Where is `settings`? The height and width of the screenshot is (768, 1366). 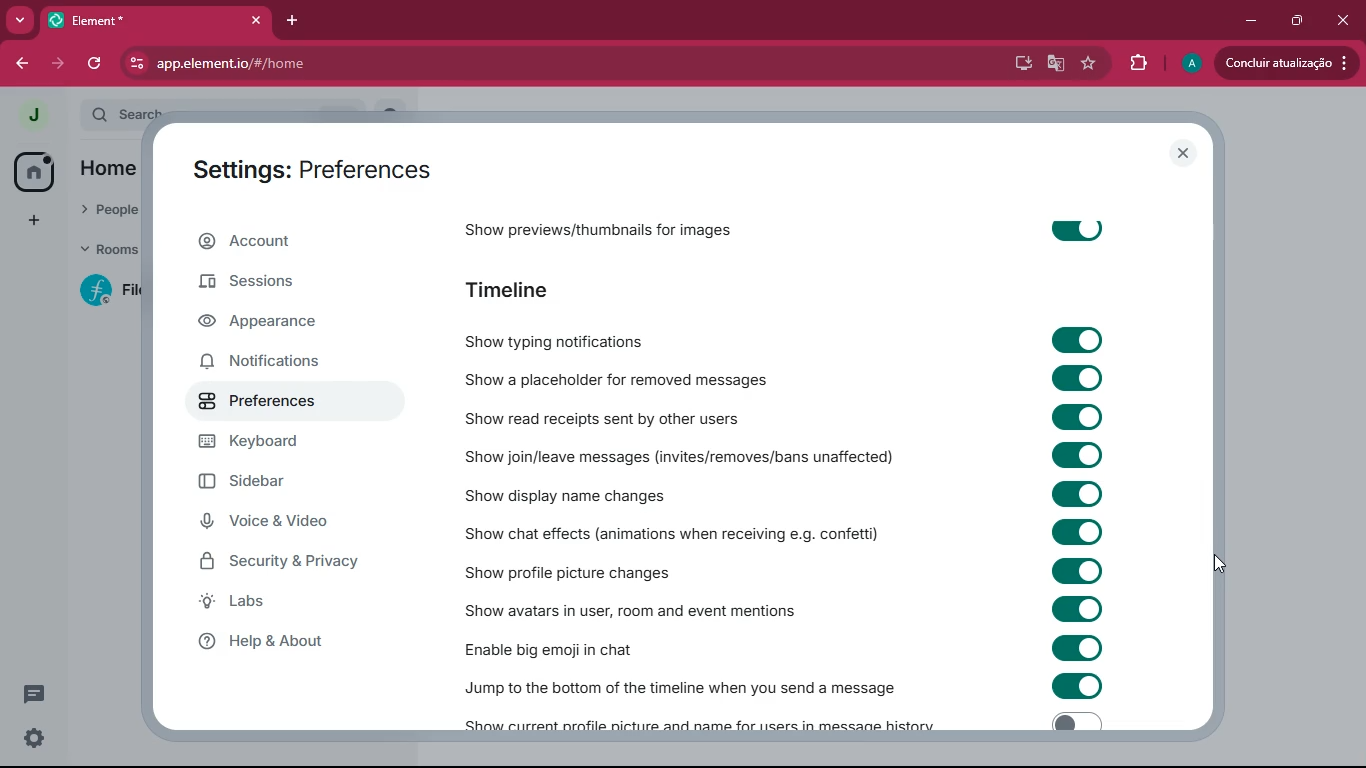 settings is located at coordinates (34, 740).